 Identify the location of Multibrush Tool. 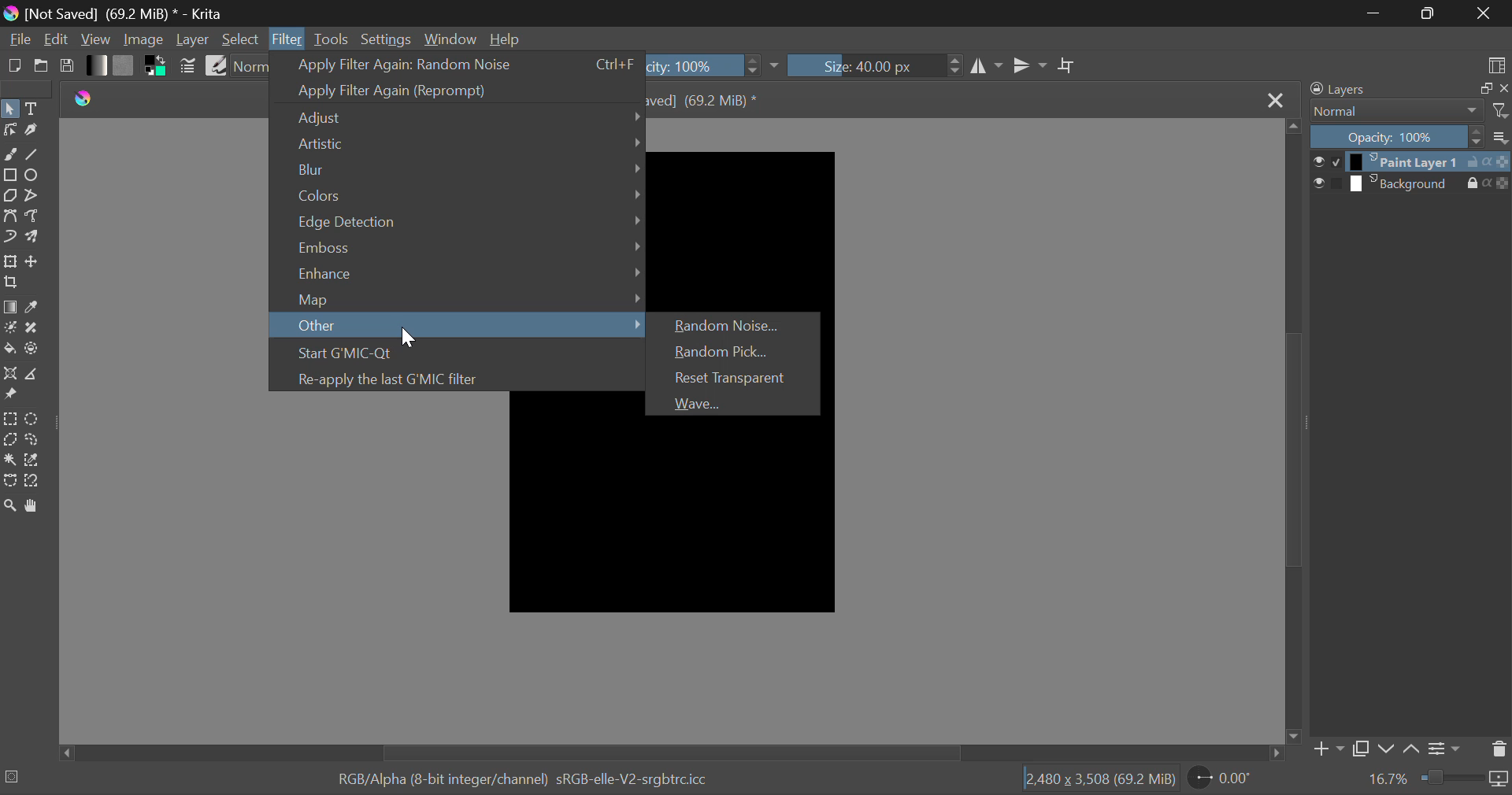
(32, 238).